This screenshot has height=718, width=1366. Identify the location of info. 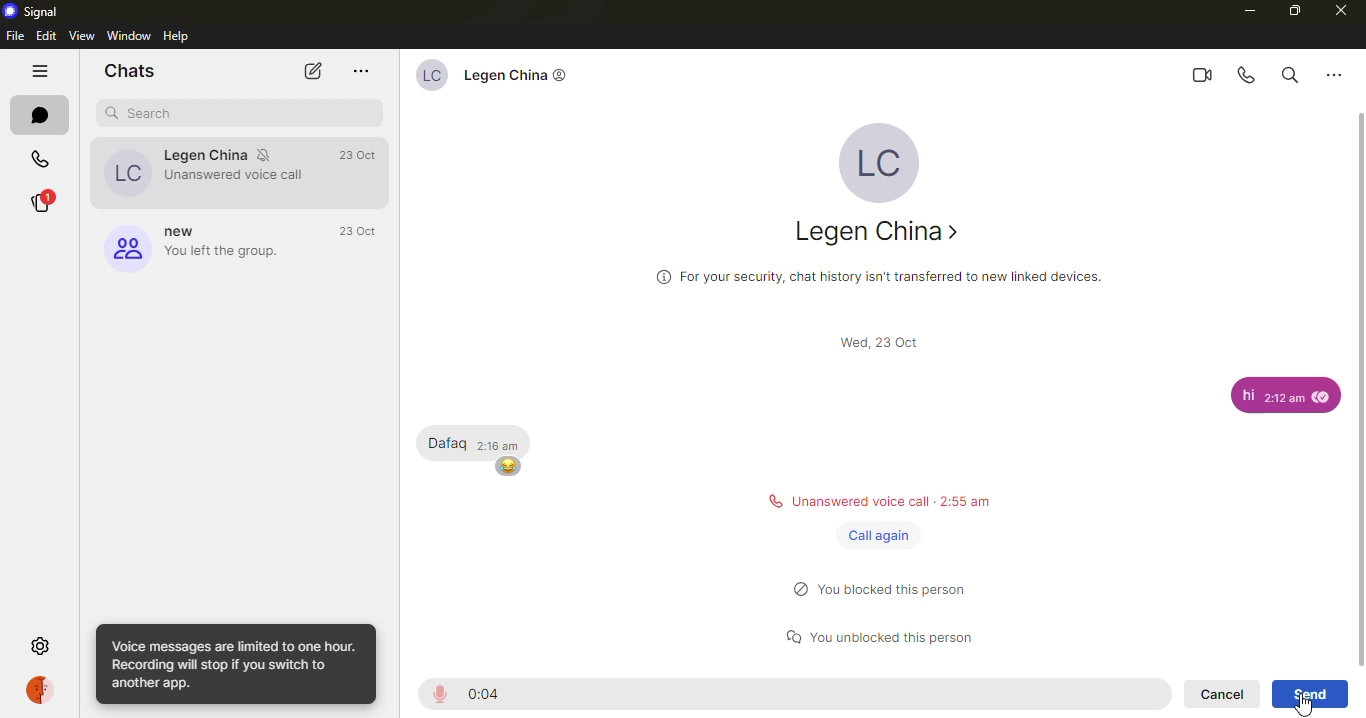
(873, 270).